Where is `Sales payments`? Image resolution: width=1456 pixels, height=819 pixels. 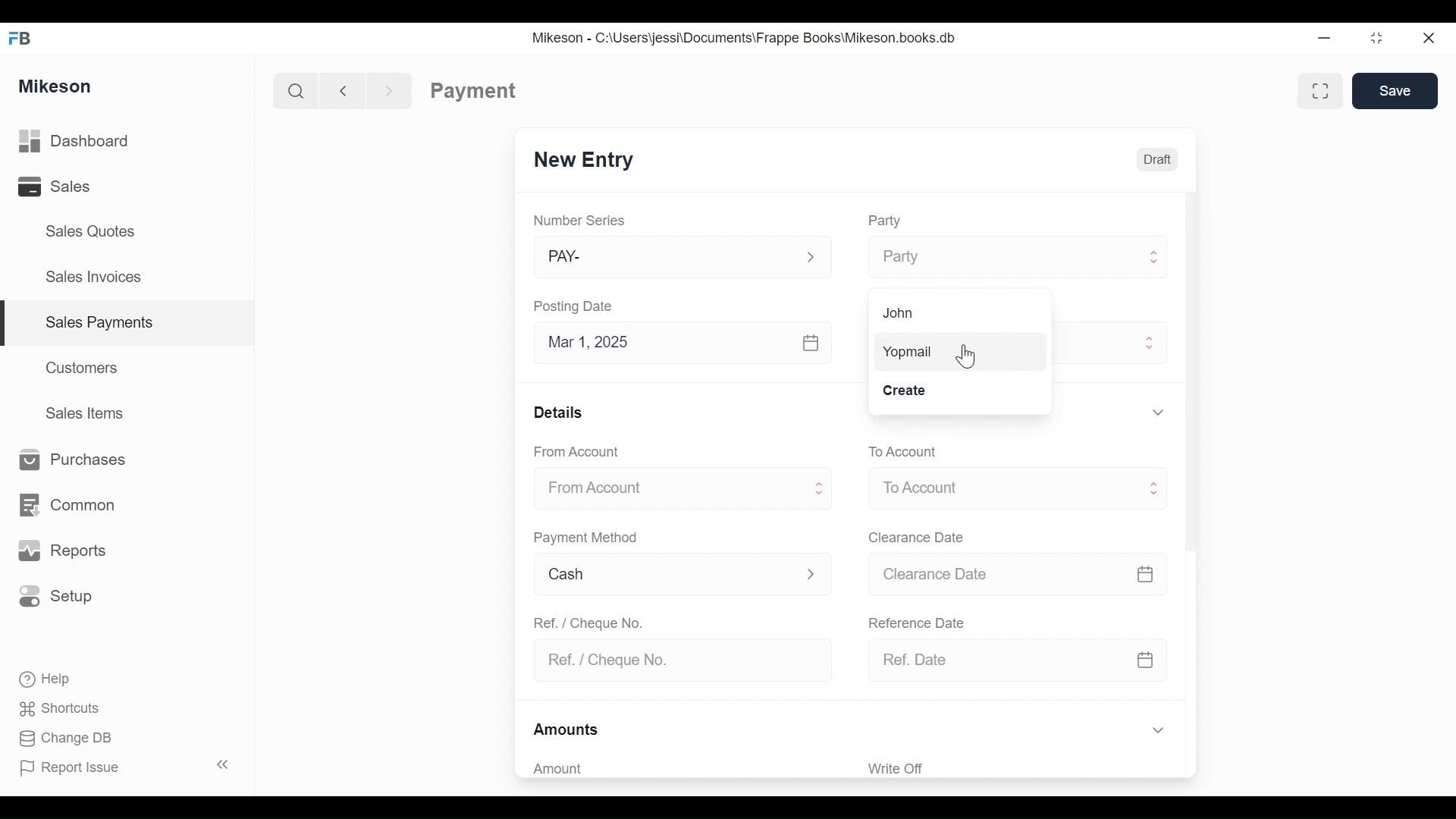 Sales payments is located at coordinates (102, 322).